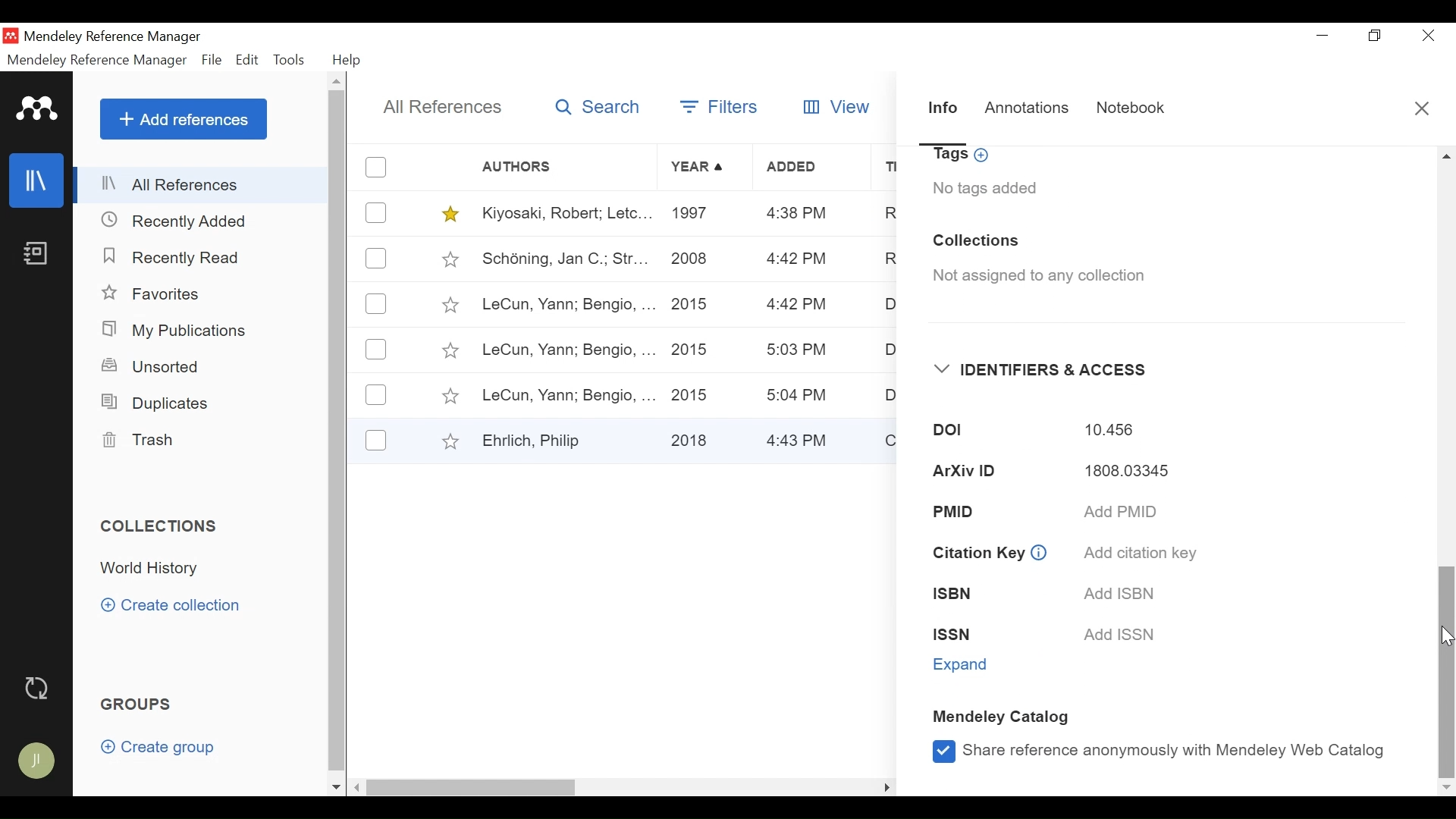 The height and width of the screenshot is (819, 1456). Describe the element at coordinates (812, 168) in the screenshot. I see `Added` at that location.